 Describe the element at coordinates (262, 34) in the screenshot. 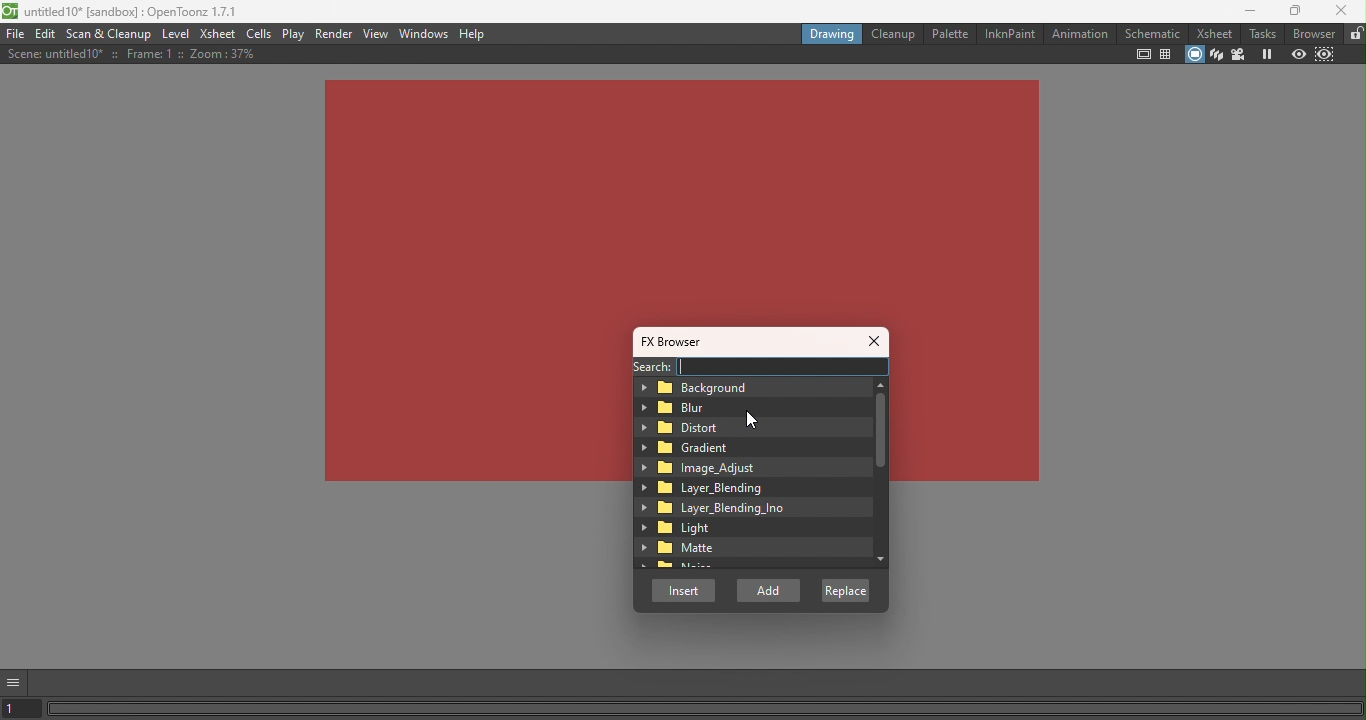

I see `Cells` at that location.